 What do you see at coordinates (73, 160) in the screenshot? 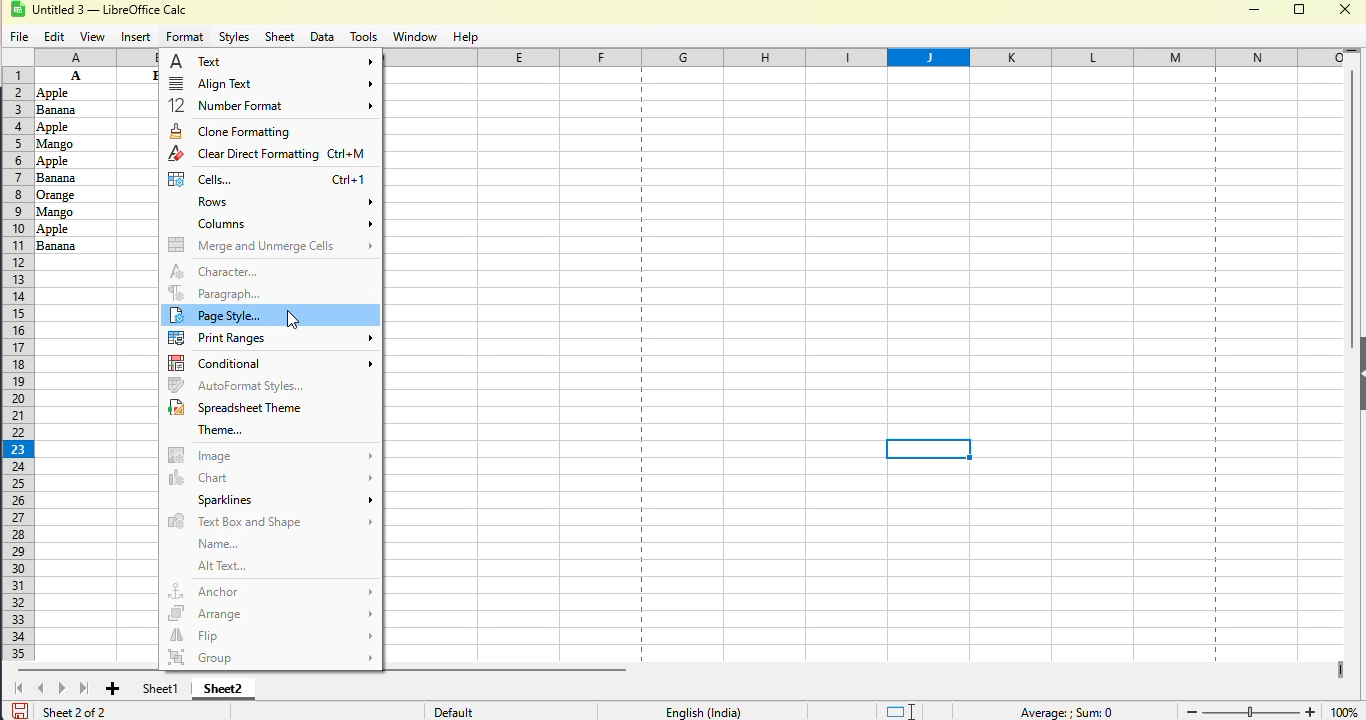
I see `` at bounding box center [73, 160].